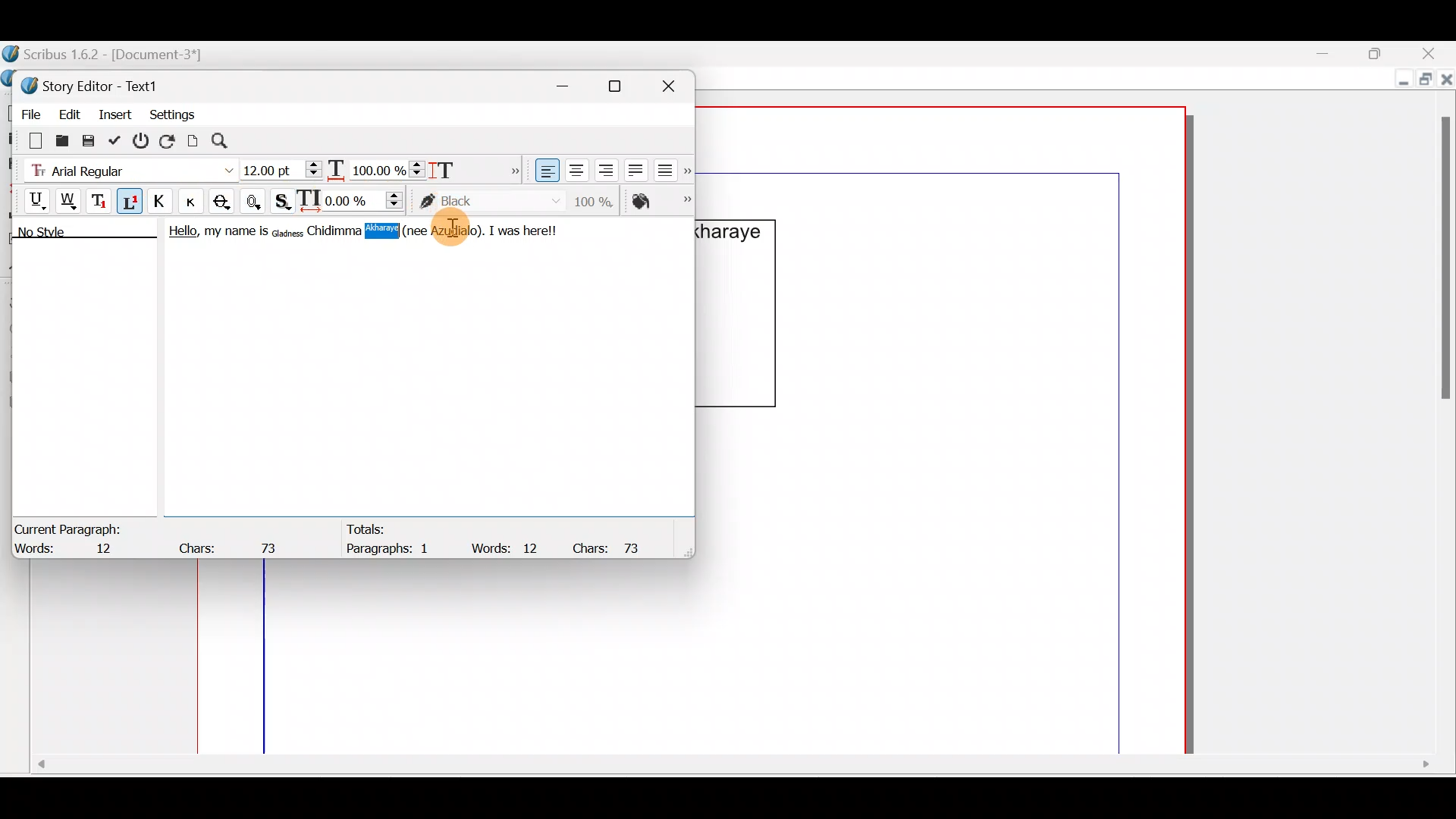 This screenshot has height=819, width=1456. What do you see at coordinates (1423, 81) in the screenshot?
I see `Maximize` at bounding box center [1423, 81].